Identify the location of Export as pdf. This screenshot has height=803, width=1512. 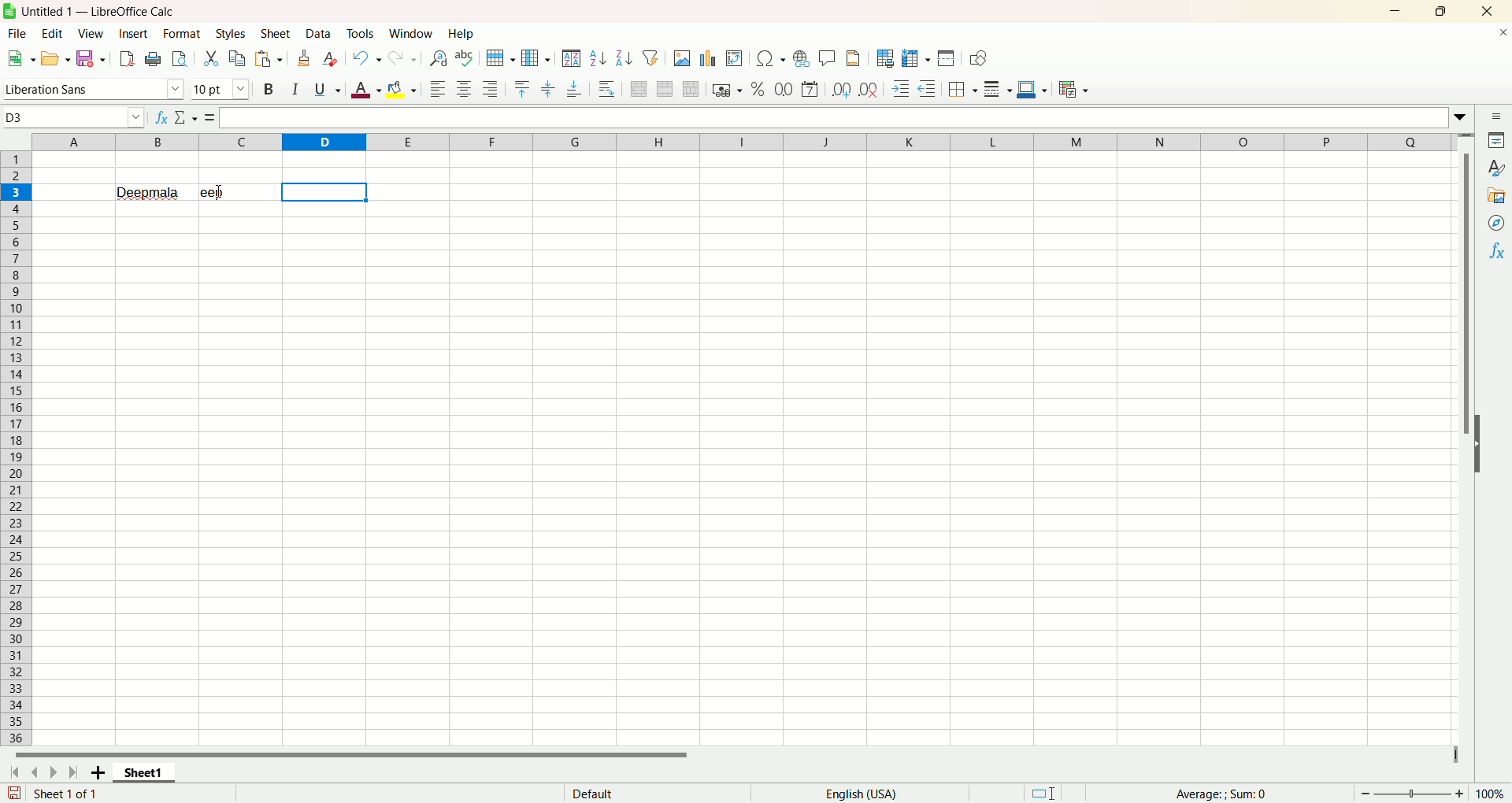
(127, 58).